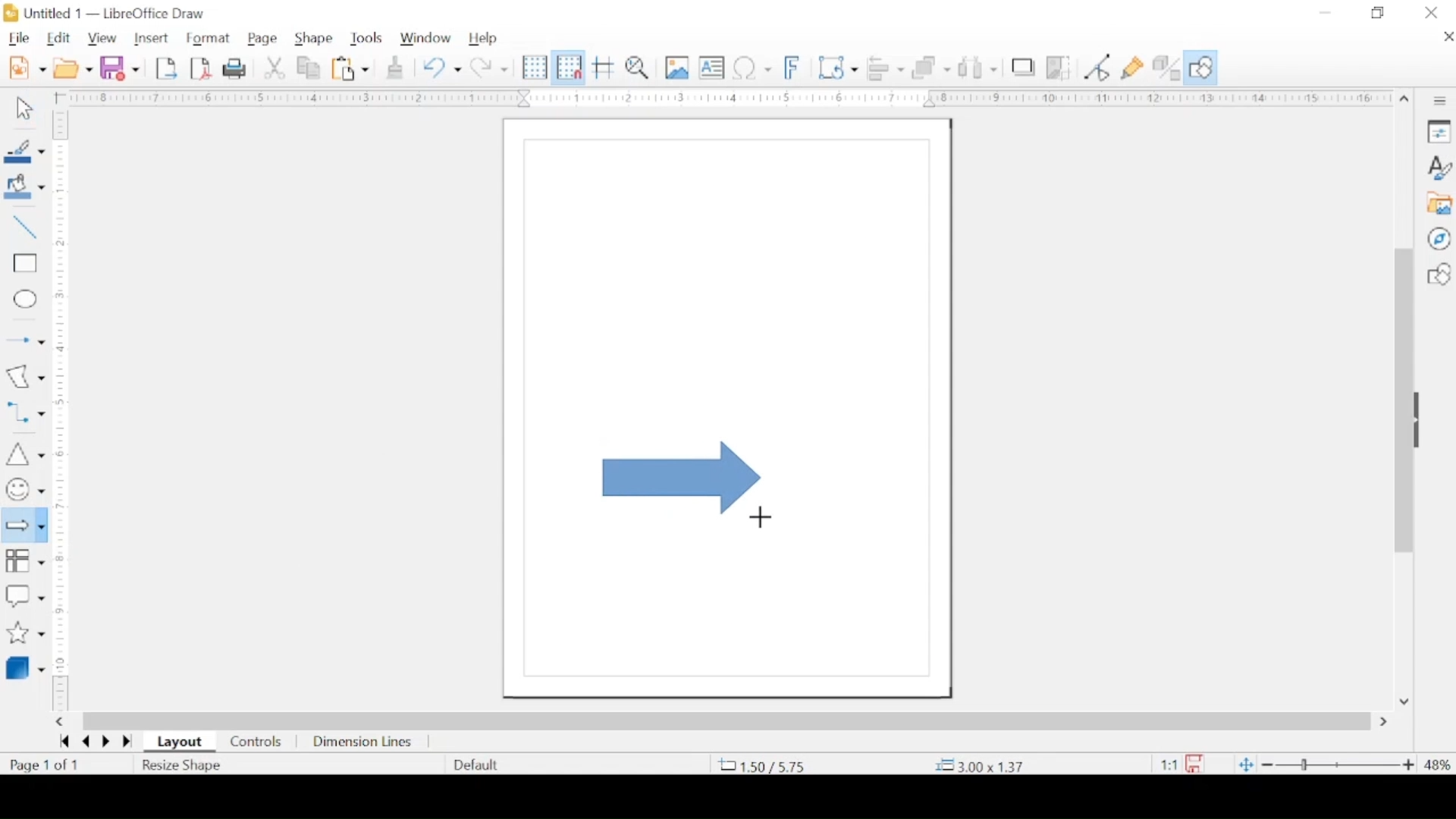 The height and width of the screenshot is (819, 1456). Describe the element at coordinates (1405, 100) in the screenshot. I see `scroll up arrow` at that location.